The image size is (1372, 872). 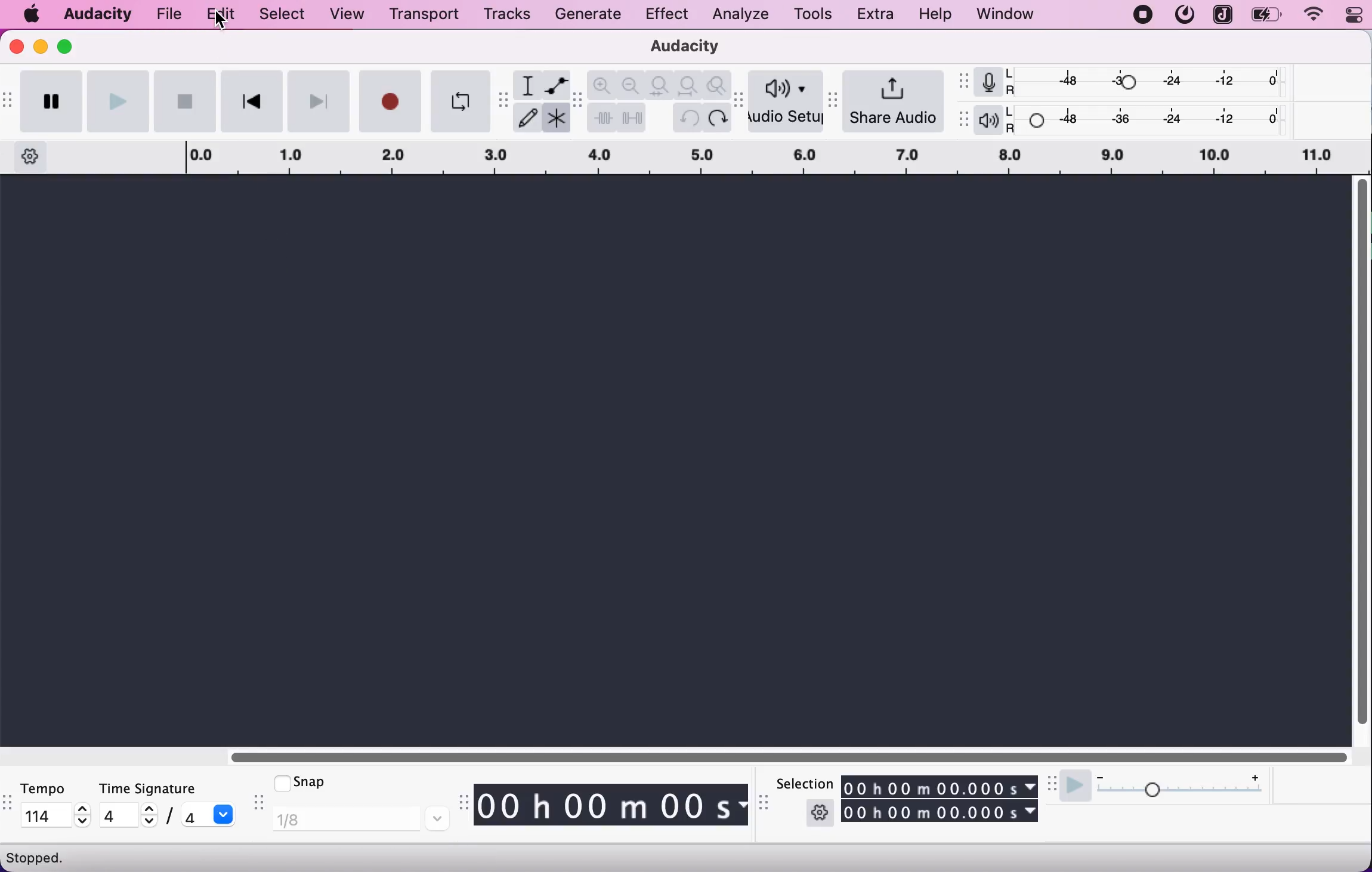 What do you see at coordinates (679, 48) in the screenshot?
I see `audacity` at bounding box center [679, 48].